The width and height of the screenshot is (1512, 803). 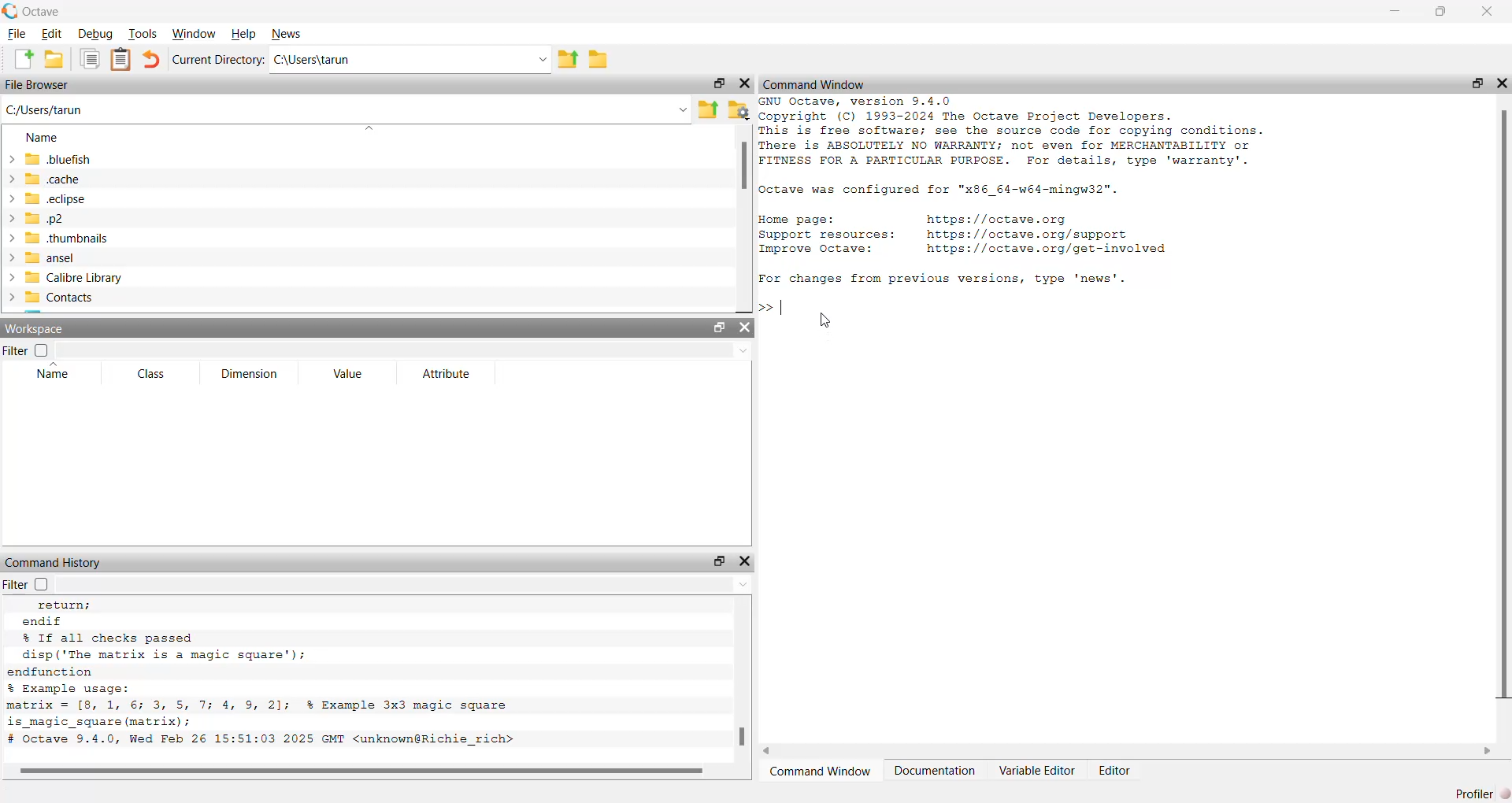 I want to click on minimize, so click(x=1396, y=10).